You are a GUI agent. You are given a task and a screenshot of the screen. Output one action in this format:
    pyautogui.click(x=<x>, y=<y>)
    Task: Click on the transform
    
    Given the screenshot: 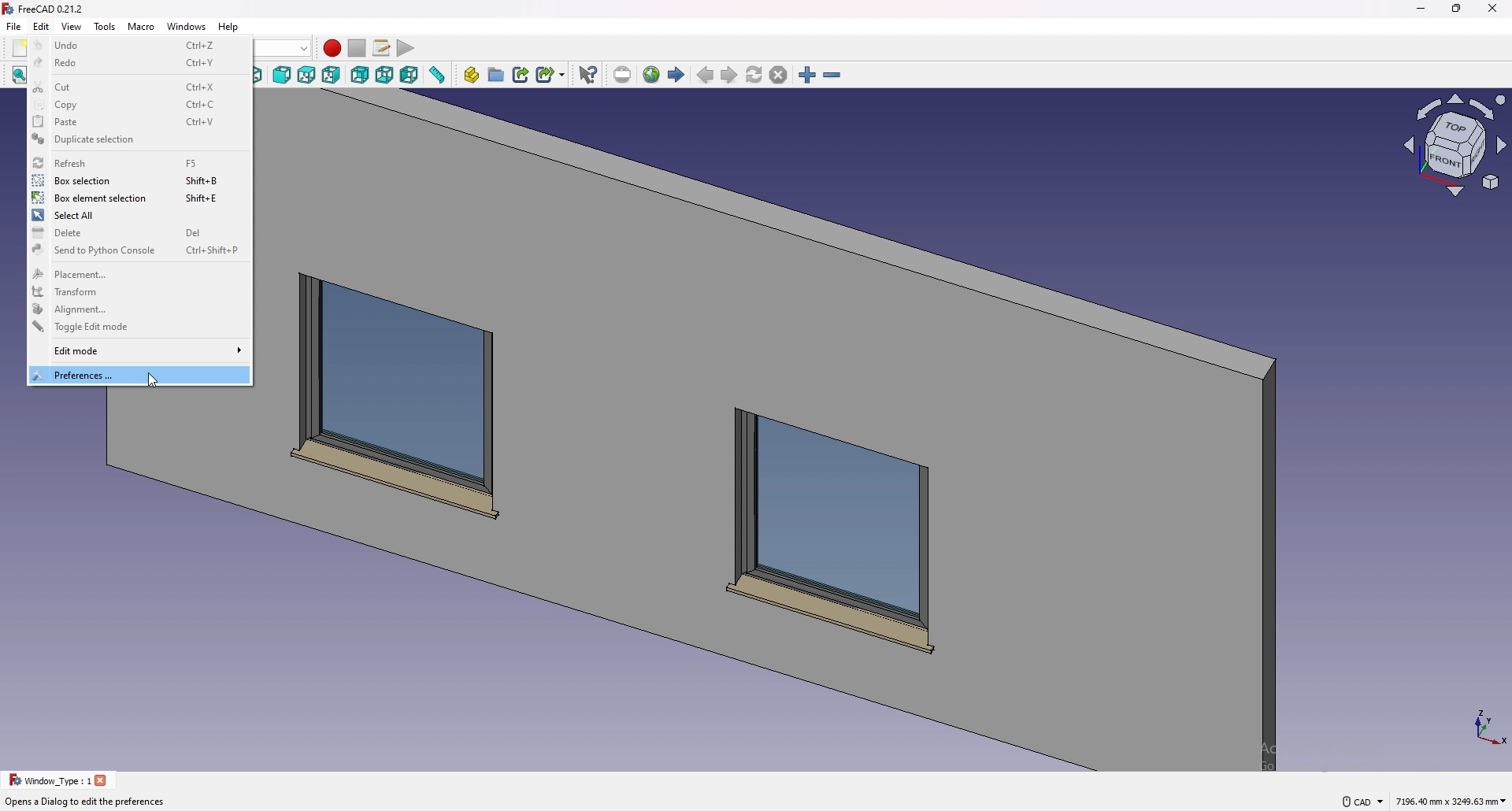 What is the action you would take?
    pyautogui.click(x=137, y=291)
    